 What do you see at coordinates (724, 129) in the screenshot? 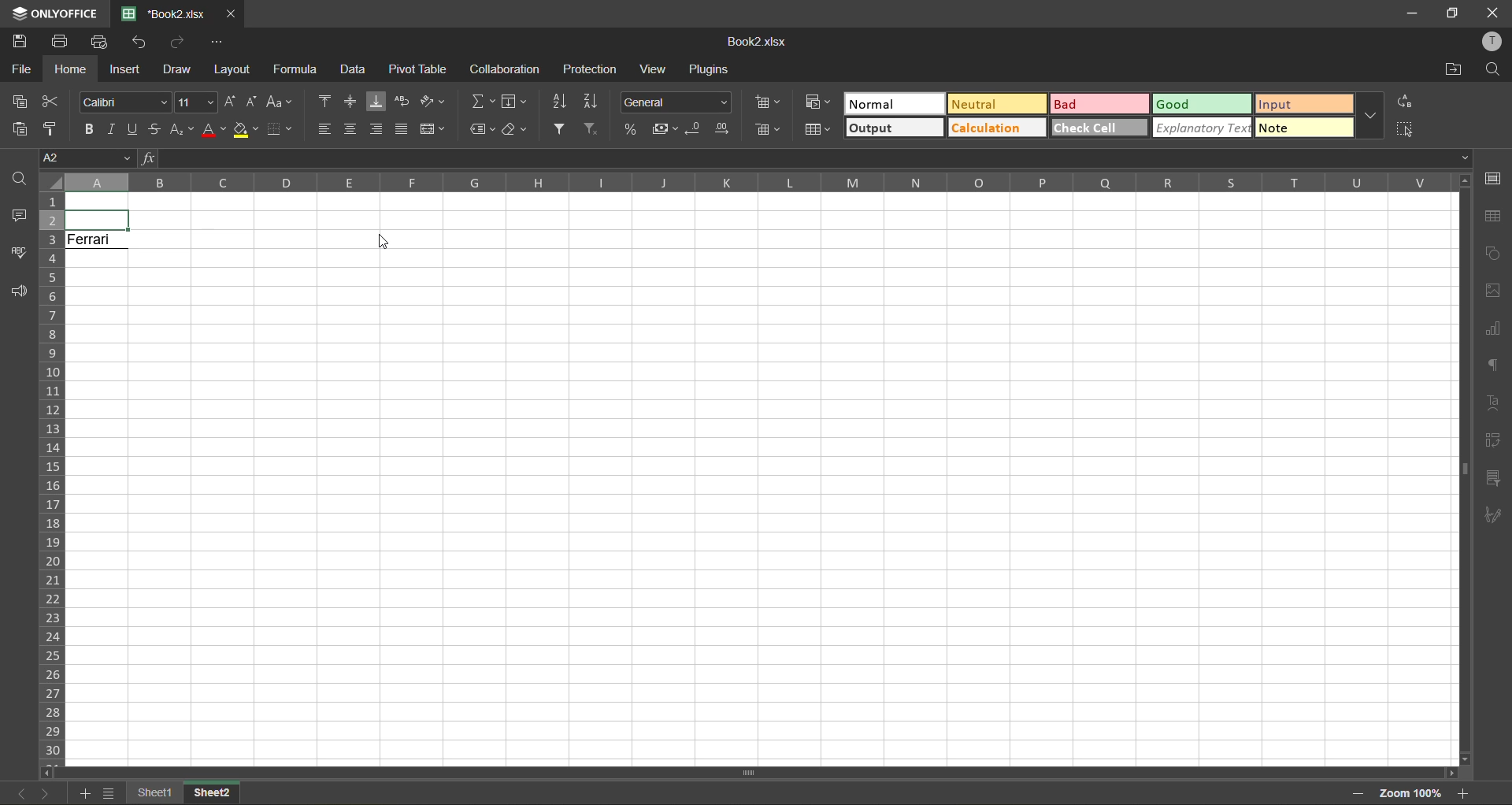
I see `increase decimal` at bounding box center [724, 129].